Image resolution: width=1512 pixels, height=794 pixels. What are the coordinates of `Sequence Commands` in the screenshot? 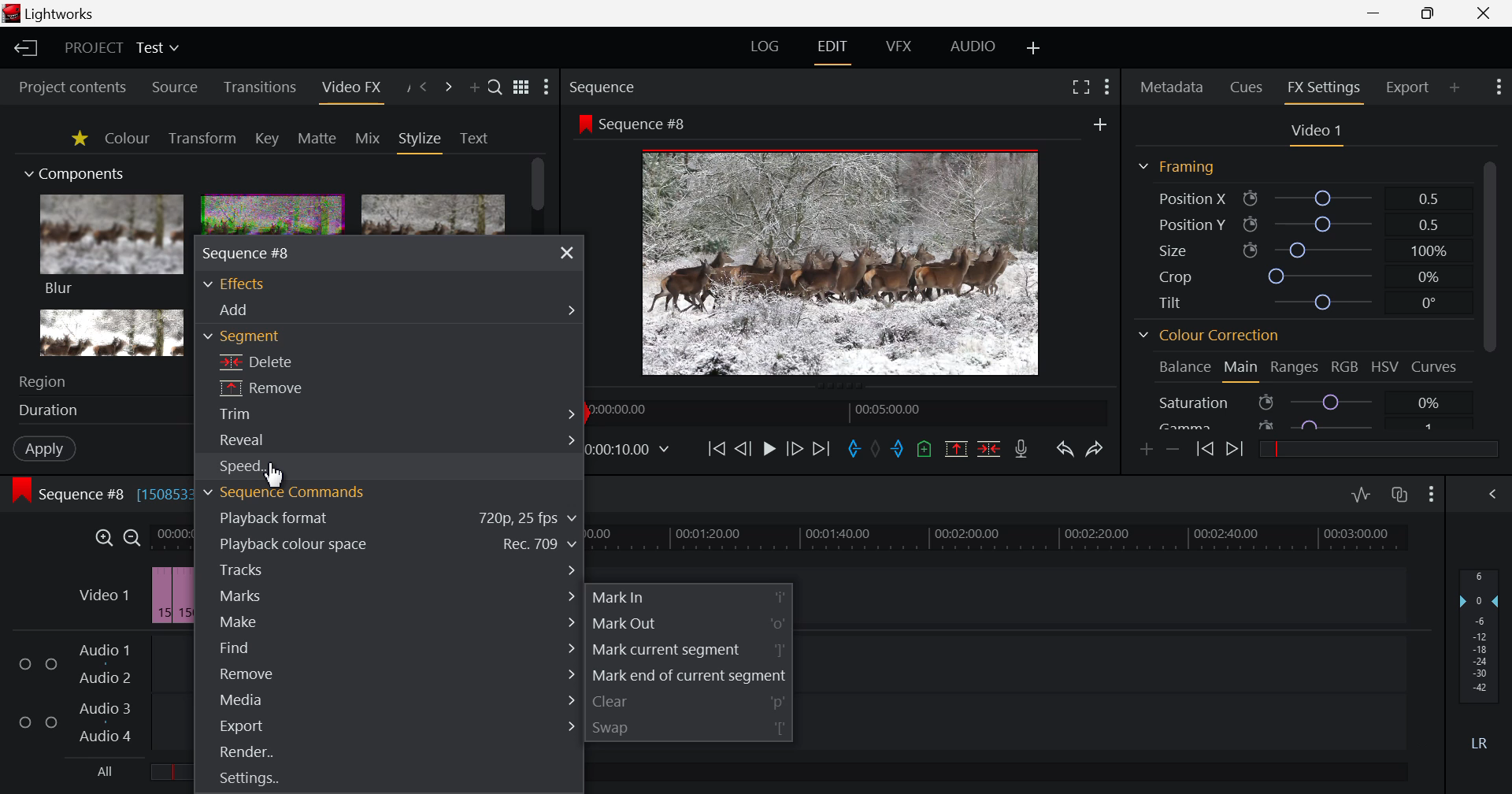 It's located at (285, 493).